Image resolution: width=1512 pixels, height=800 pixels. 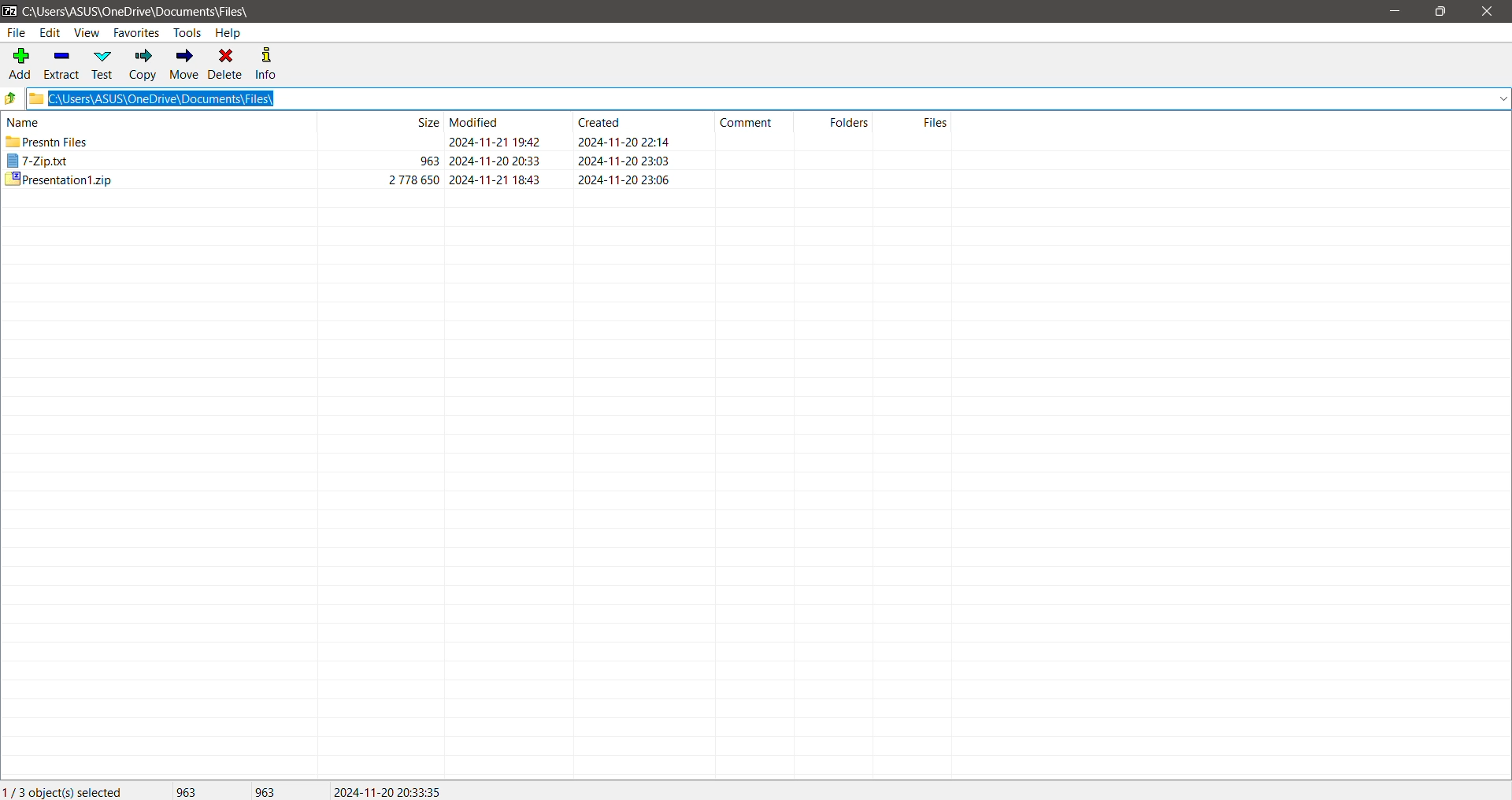 I want to click on created, so click(x=598, y=122).